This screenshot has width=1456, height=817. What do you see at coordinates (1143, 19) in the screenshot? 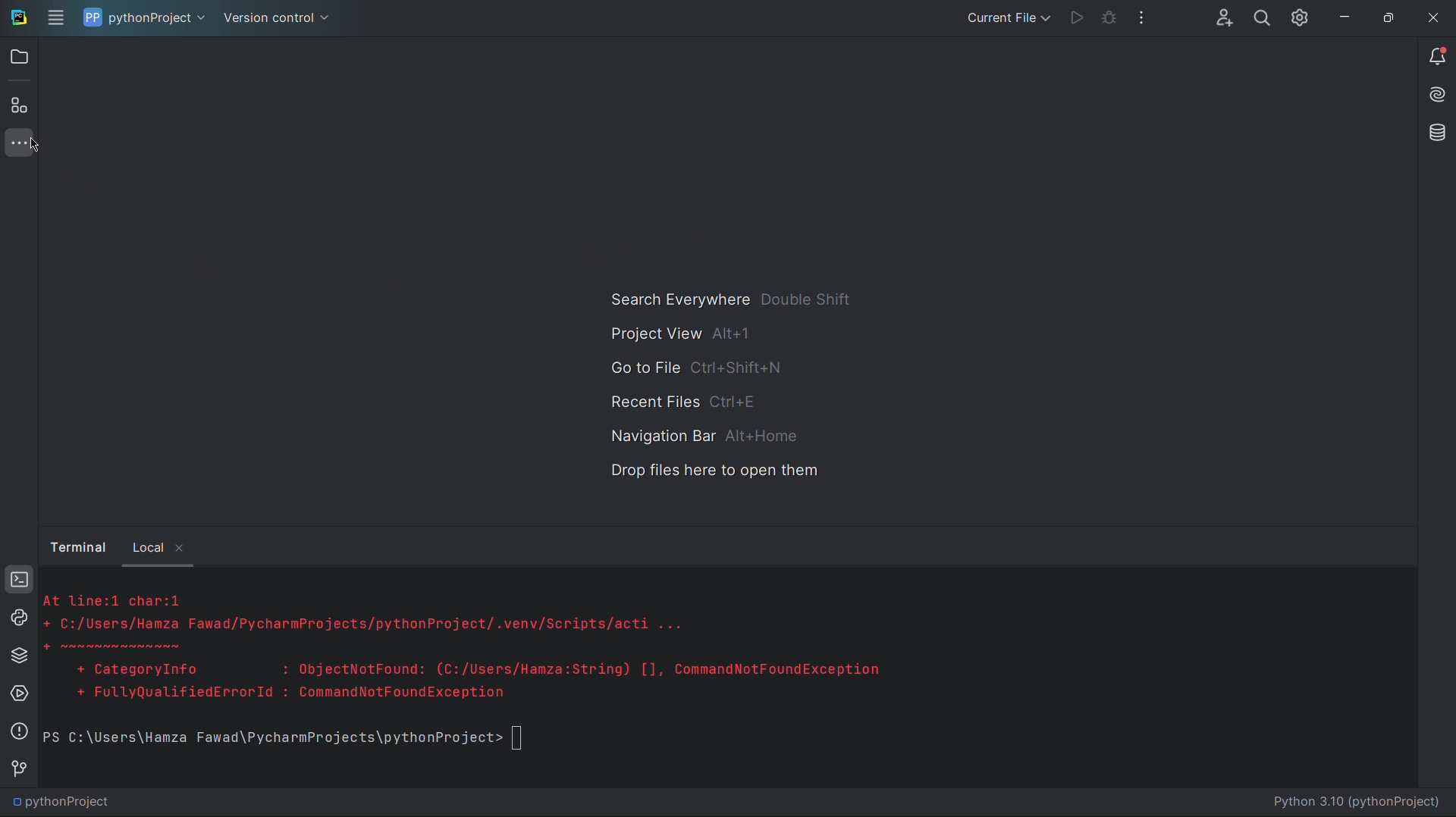
I see `More` at bounding box center [1143, 19].